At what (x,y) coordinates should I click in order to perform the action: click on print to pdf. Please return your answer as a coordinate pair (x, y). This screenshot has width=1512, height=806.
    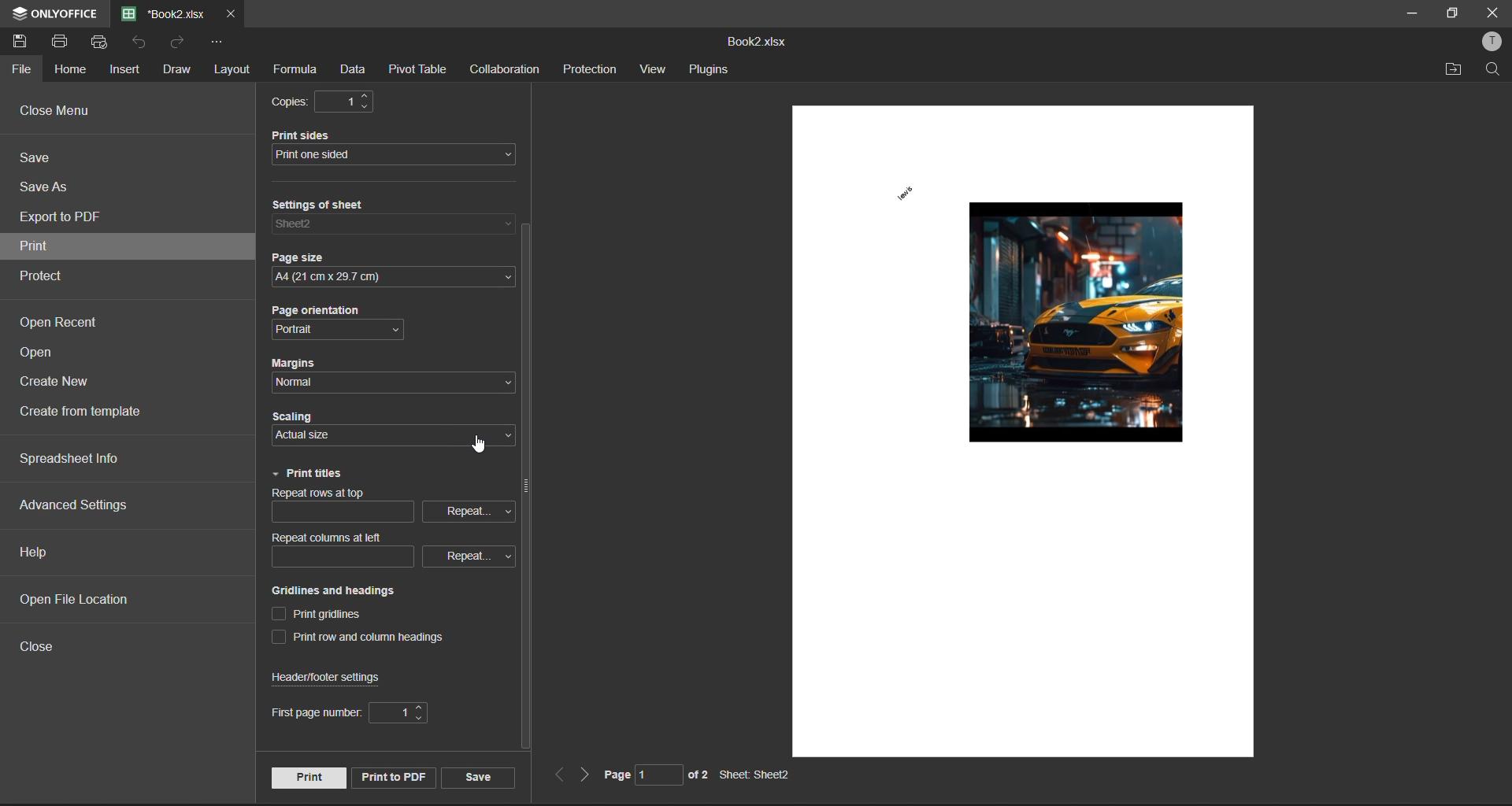
    Looking at the image, I should click on (391, 775).